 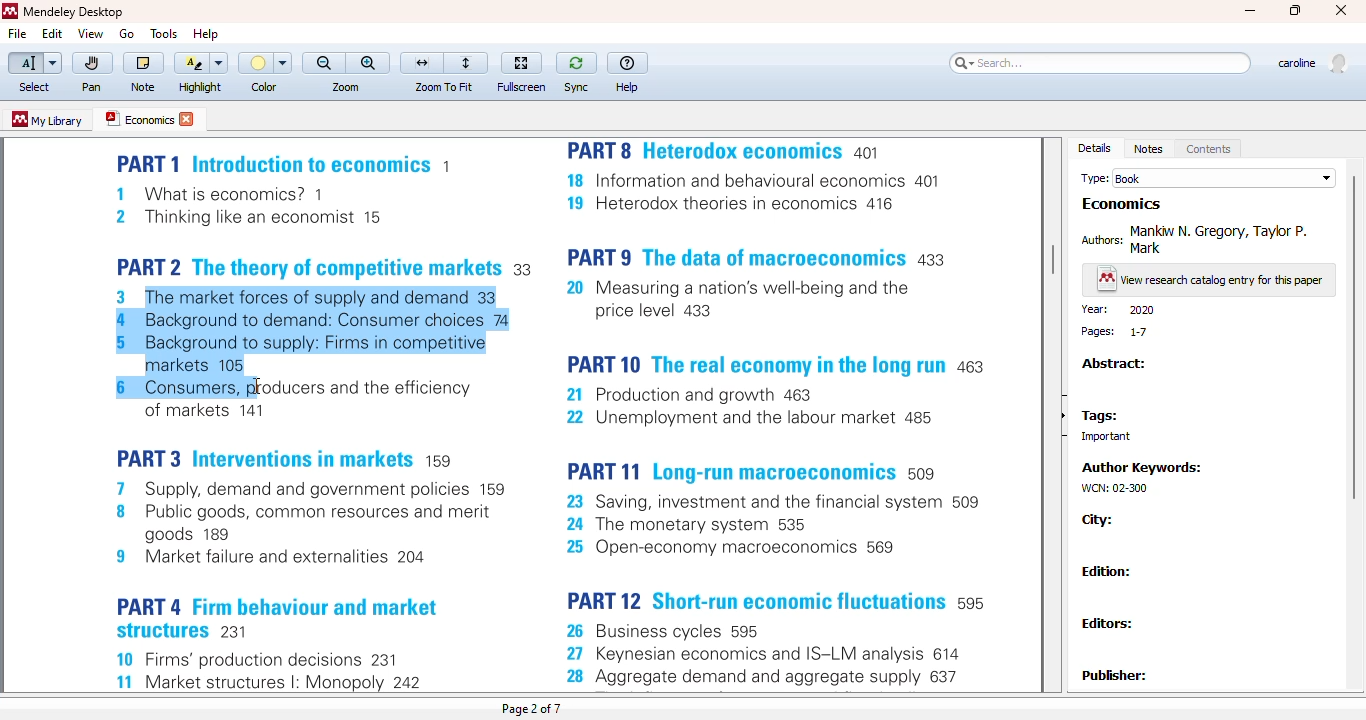 I want to click on type: book, so click(x=1208, y=178).